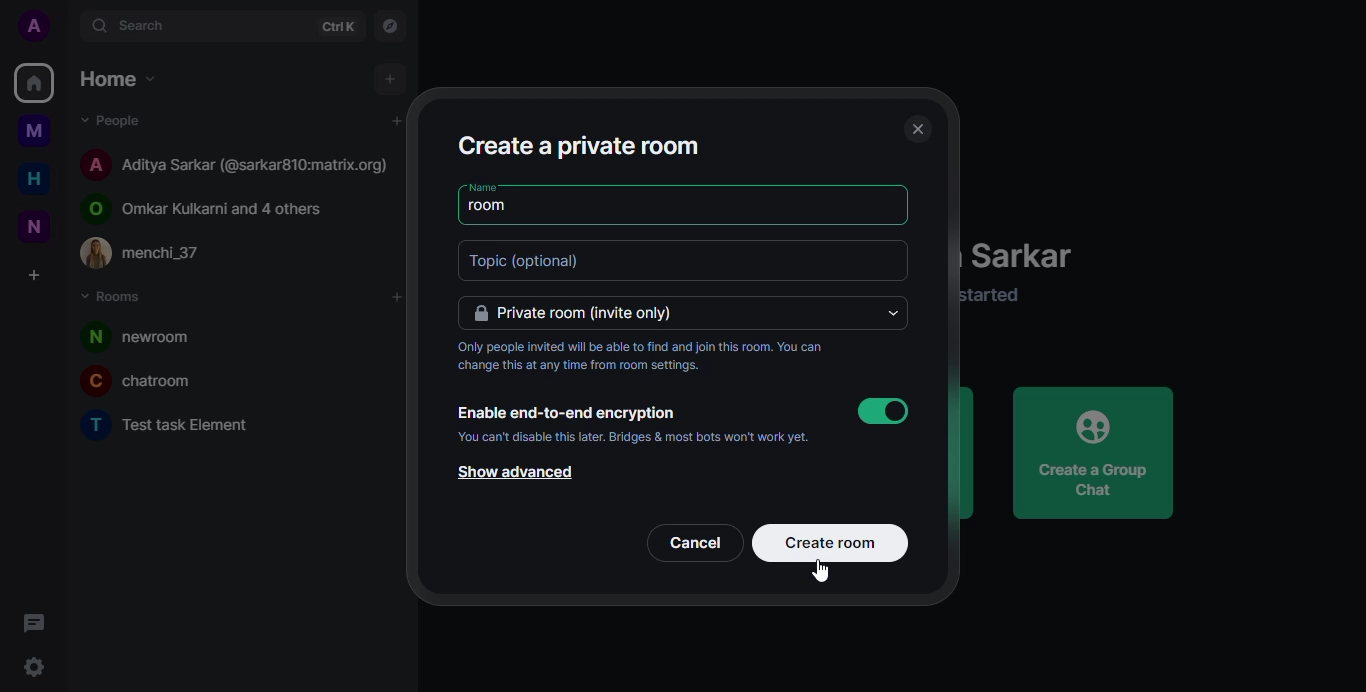  I want to click on cursor, so click(822, 575).